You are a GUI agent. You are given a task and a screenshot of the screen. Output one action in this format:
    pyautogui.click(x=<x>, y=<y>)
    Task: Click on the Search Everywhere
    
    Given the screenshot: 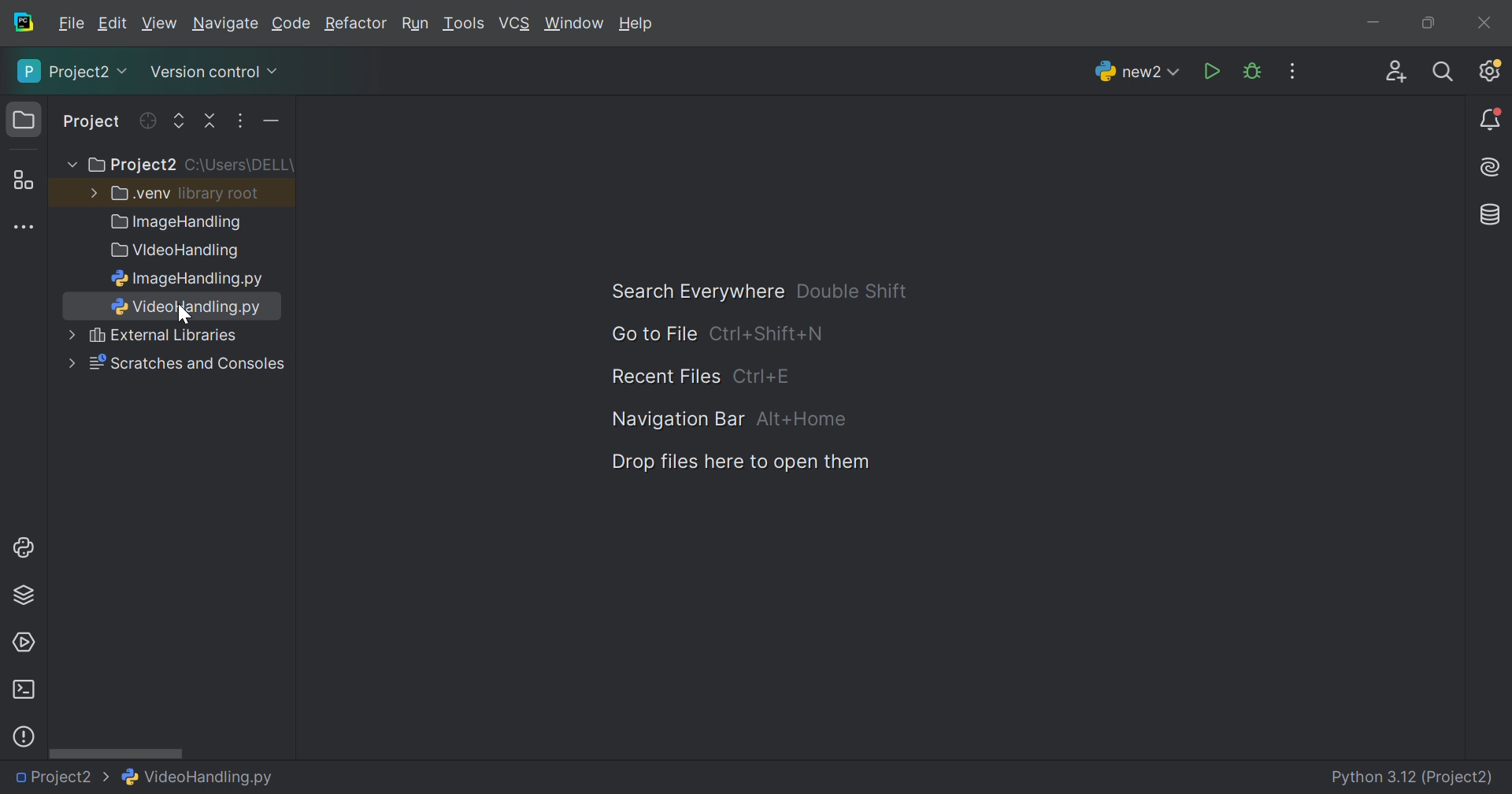 What is the action you would take?
    pyautogui.click(x=690, y=292)
    